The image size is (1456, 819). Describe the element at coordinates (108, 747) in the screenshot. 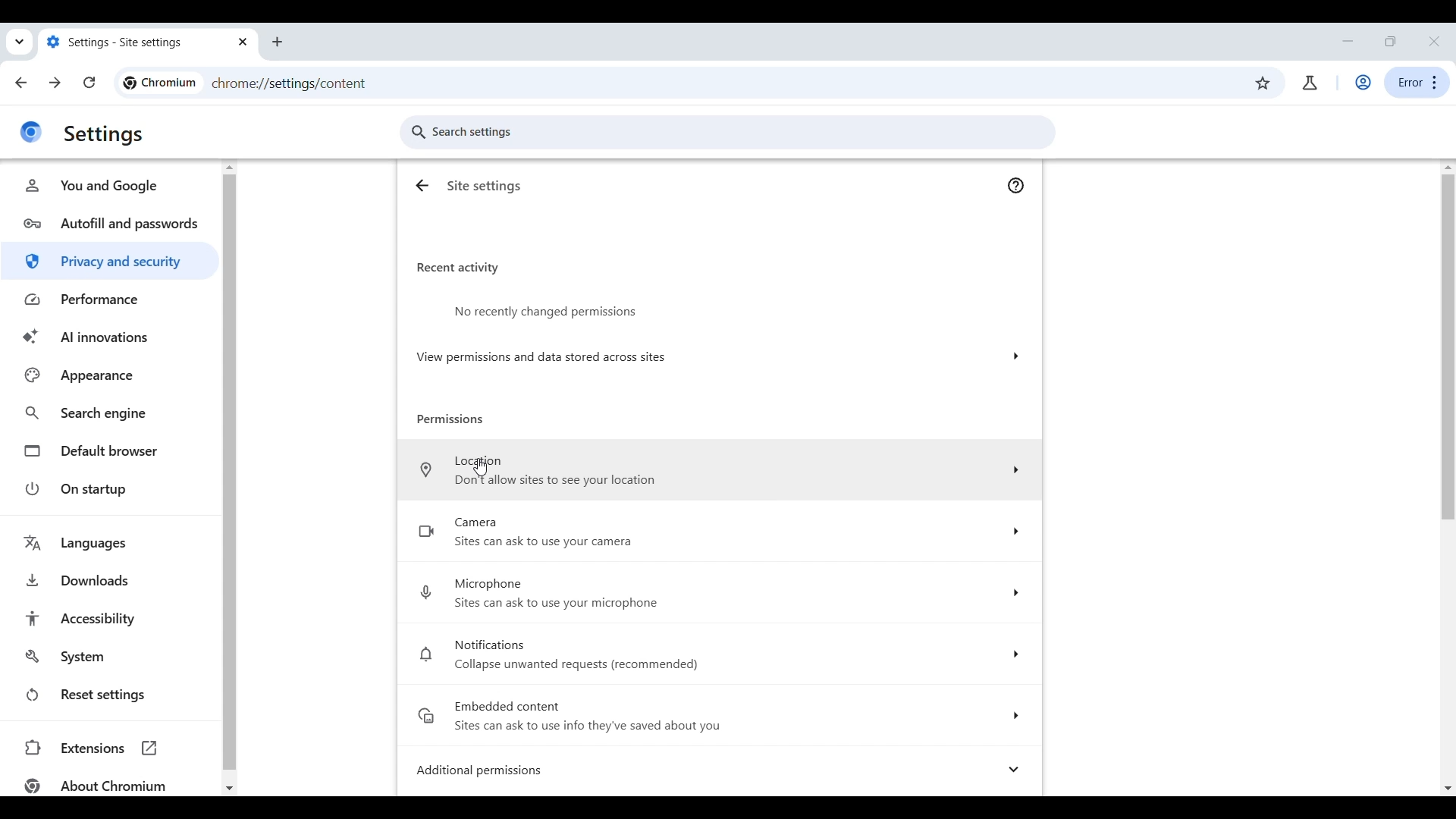

I see `extensions` at that location.